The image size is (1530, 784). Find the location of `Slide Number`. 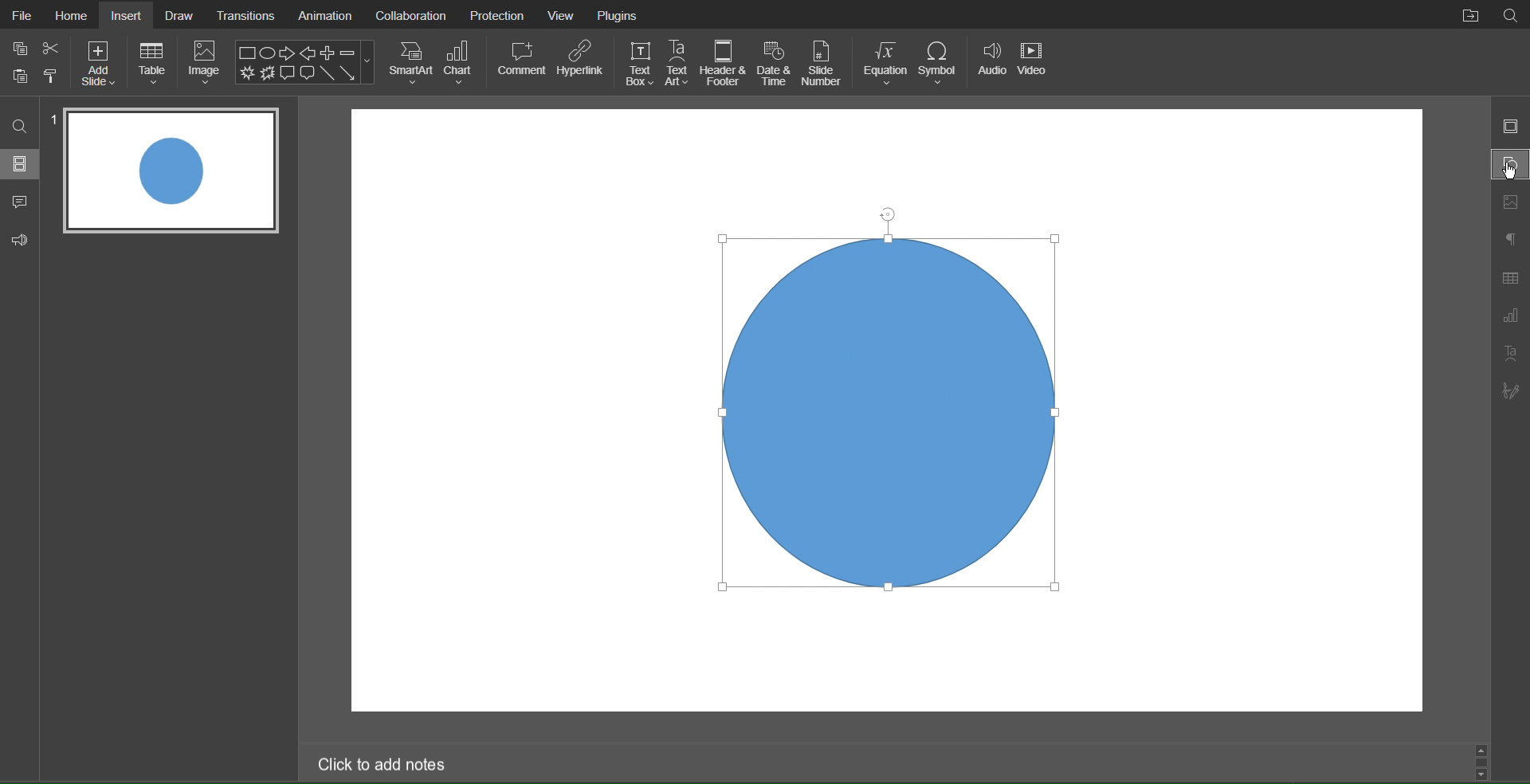

Slide Number is located at coordinates (822, 63).